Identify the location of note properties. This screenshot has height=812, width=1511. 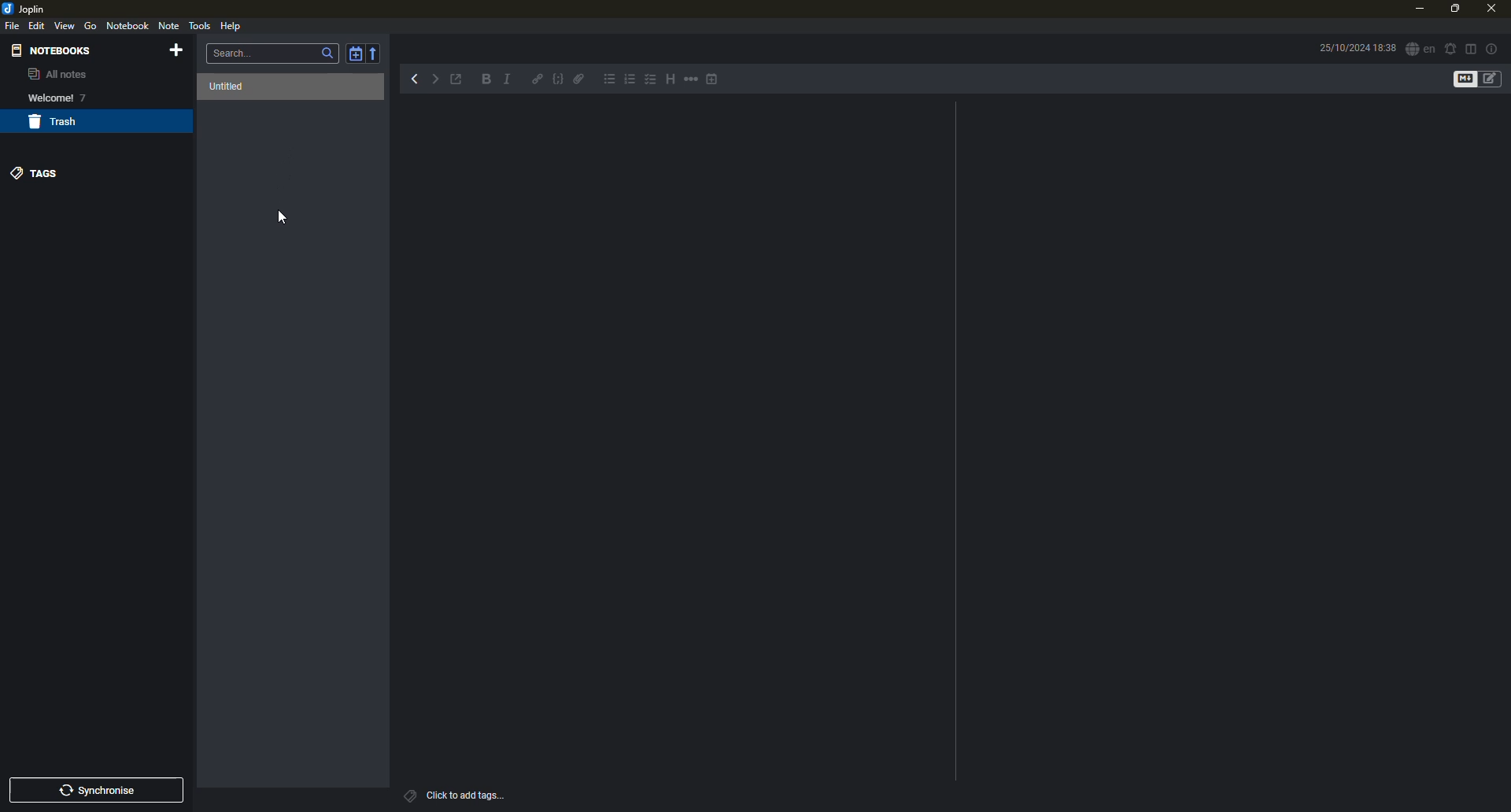
(1493, 48).